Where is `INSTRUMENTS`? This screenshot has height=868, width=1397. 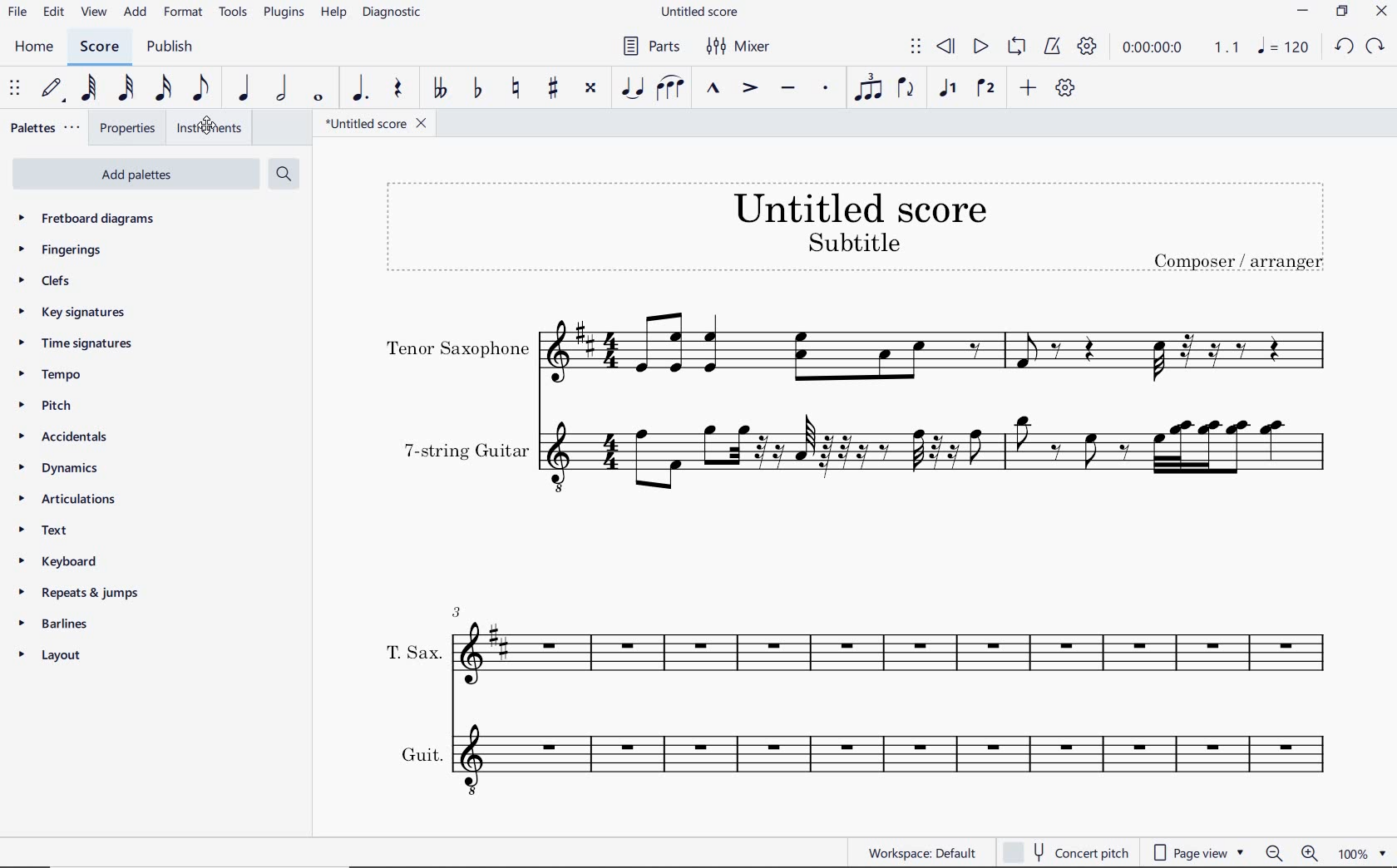
INSTRUMENTS is located at coordinates (206, 127).